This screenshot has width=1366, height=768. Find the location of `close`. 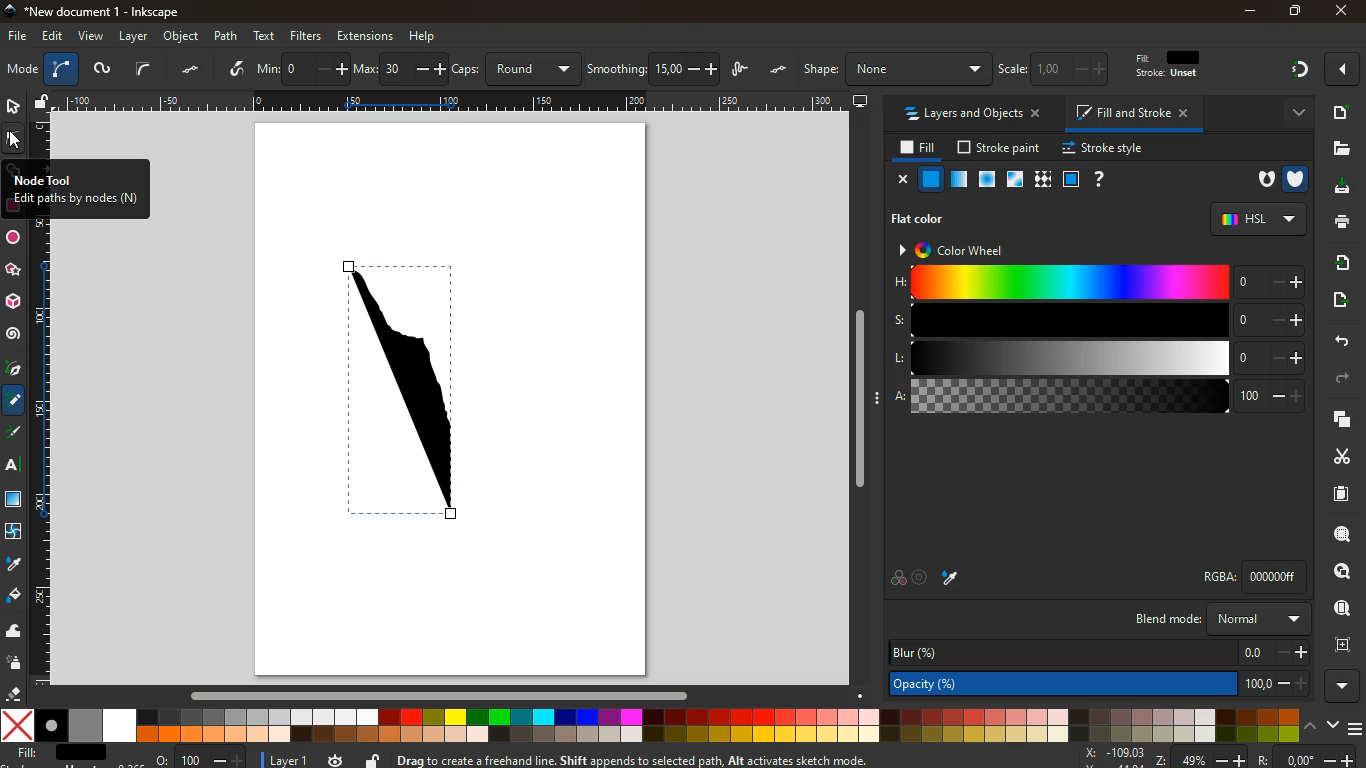

close is located at coordinates (1343, 11).